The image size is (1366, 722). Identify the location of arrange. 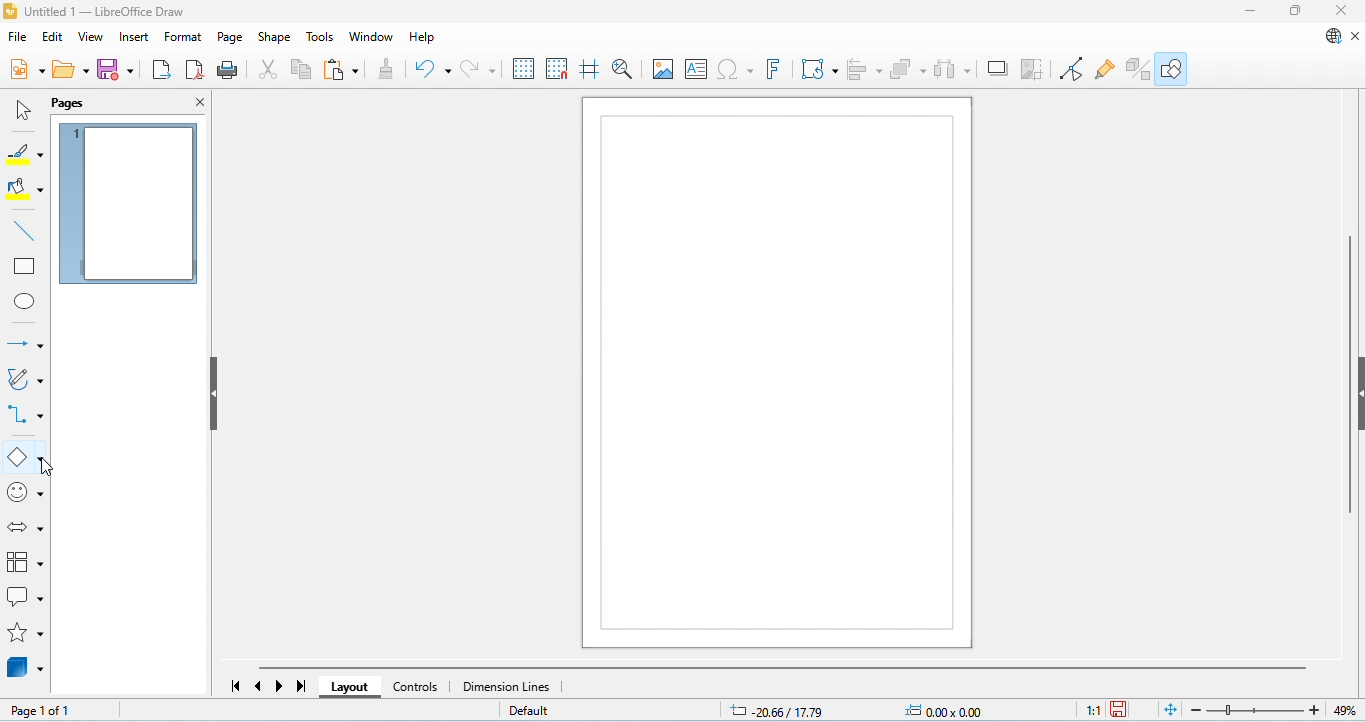
(908, 70).